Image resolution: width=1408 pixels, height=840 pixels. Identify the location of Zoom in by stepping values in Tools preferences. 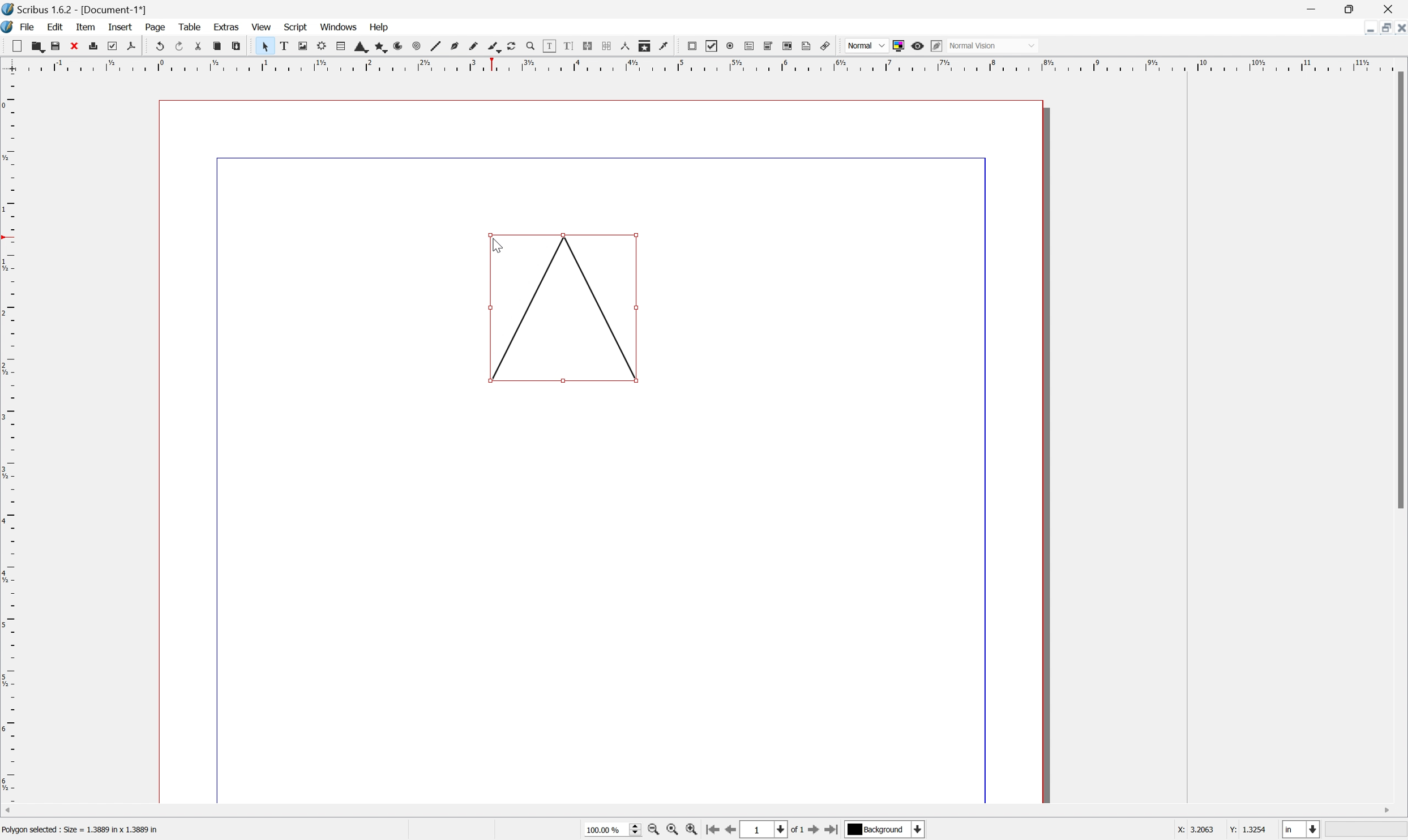
(691, 830).